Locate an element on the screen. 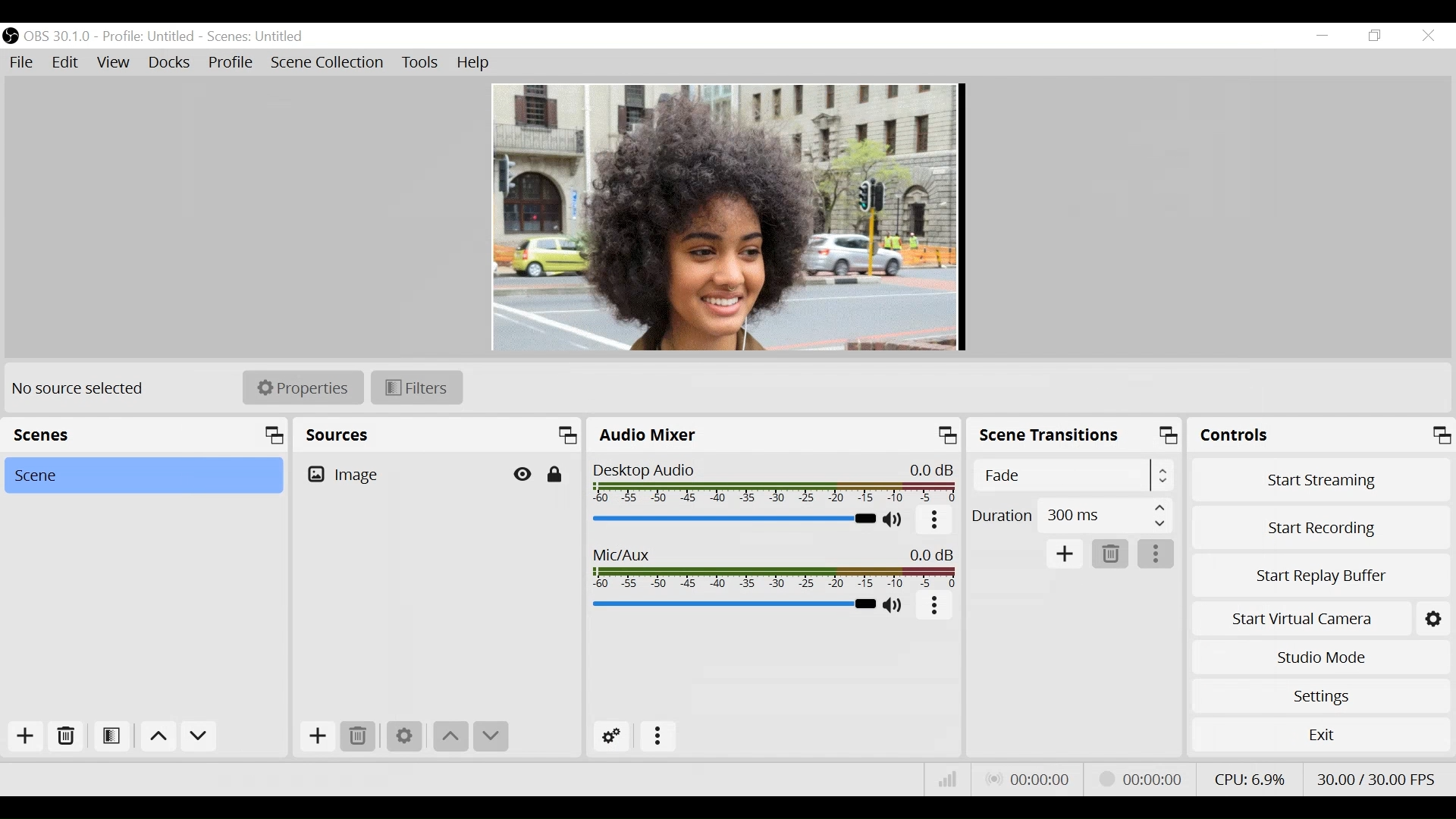 The width and height of the screenshot is (1456, 819). Settings is located at coordinates (1321, 695).